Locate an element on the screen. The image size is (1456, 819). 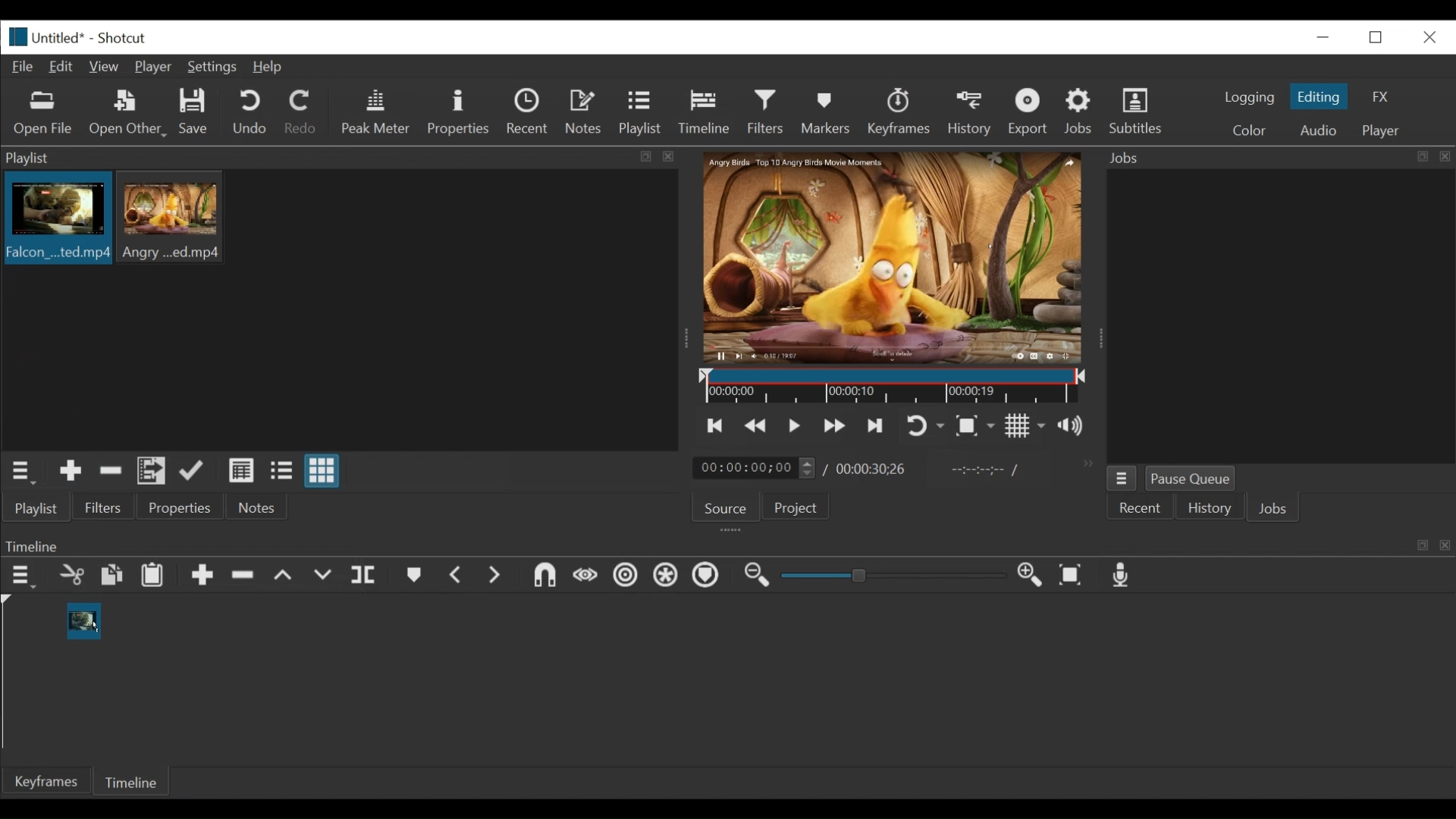
Add files to playlist is located at coordinates (152, 473).